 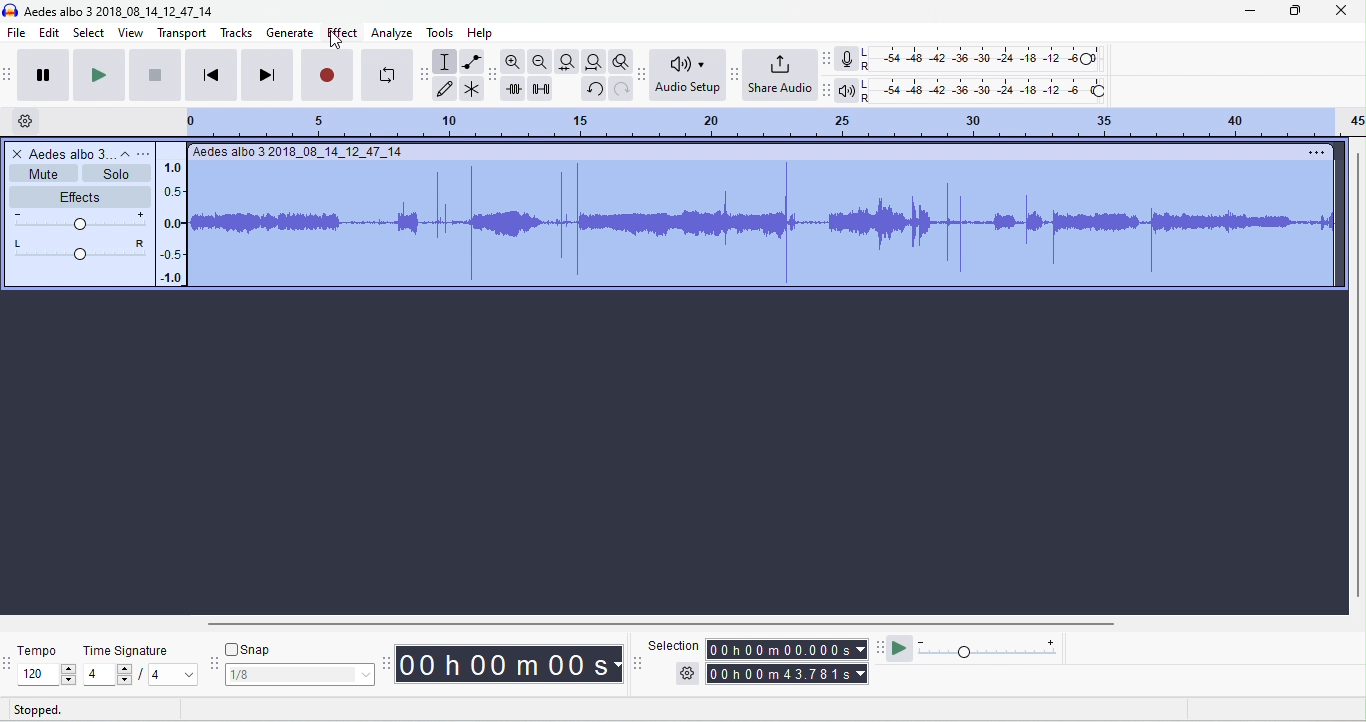 What do you see at coordinates (50, 32) in the screenshot?
I see `edit` at bounding box center [50, 32].